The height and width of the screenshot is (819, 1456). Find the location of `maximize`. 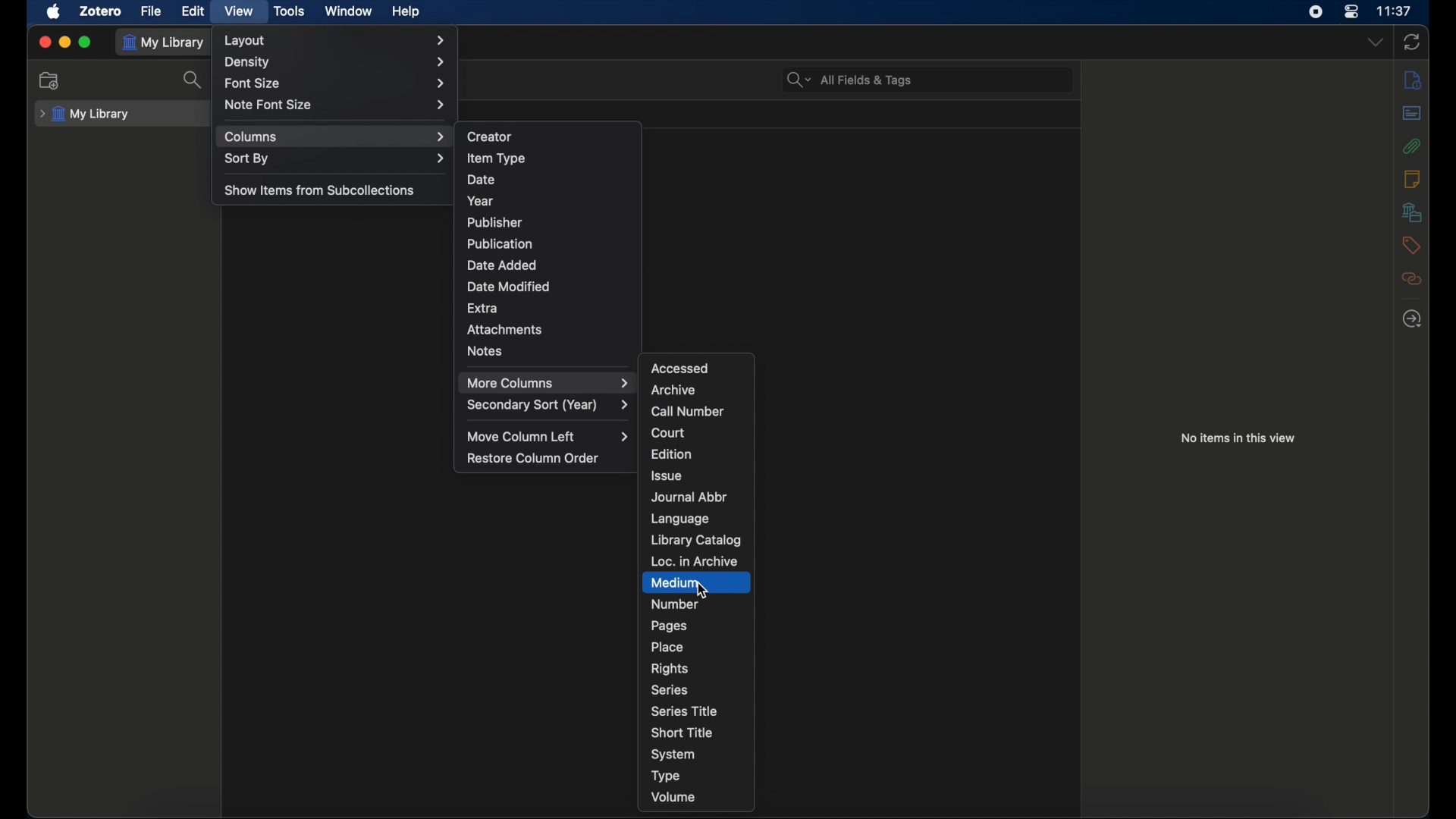

maximize is located at coordinates (86, 43).